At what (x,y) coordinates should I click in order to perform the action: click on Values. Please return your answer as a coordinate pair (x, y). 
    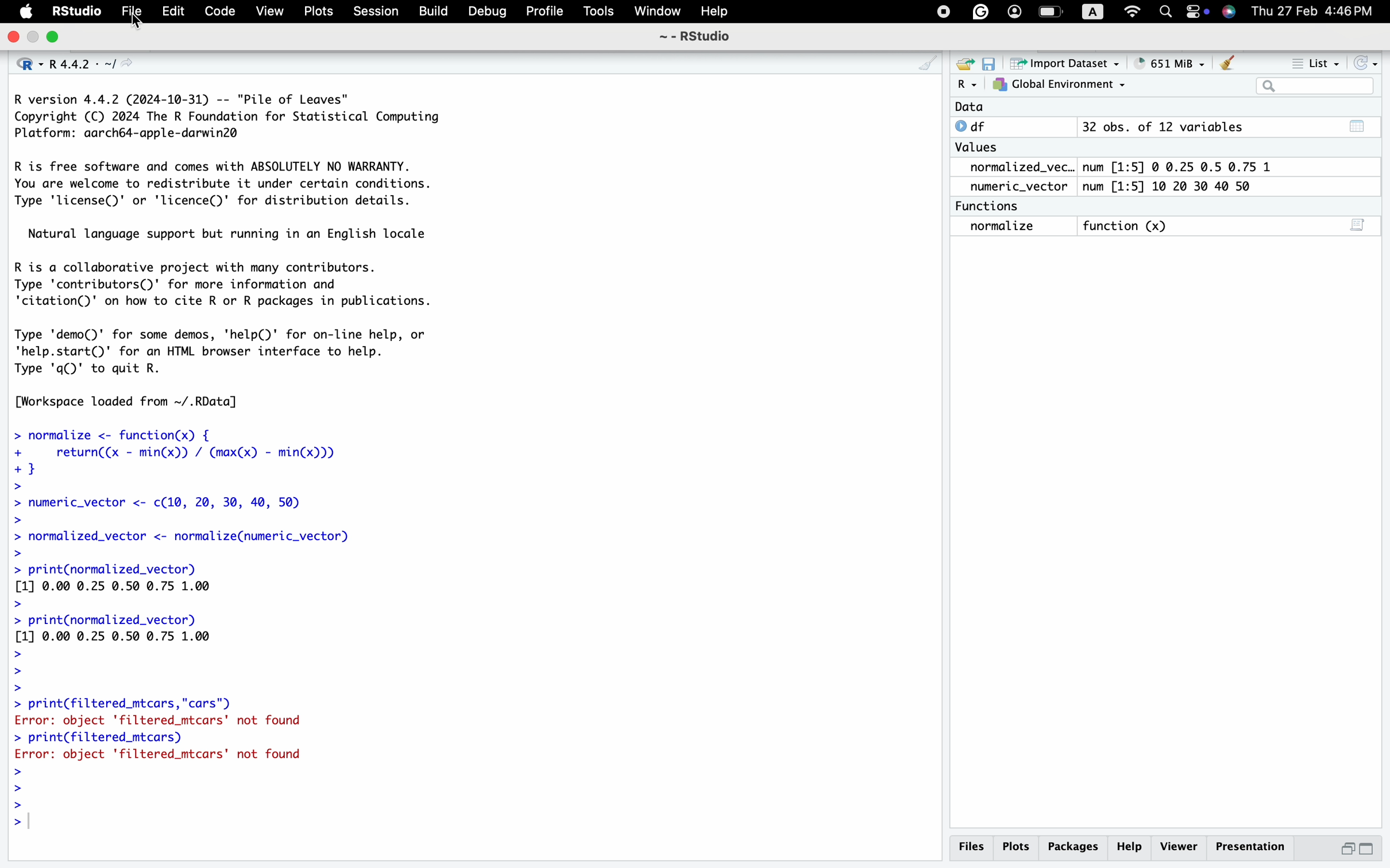
    Looking at the image, I should click on (983, 147).